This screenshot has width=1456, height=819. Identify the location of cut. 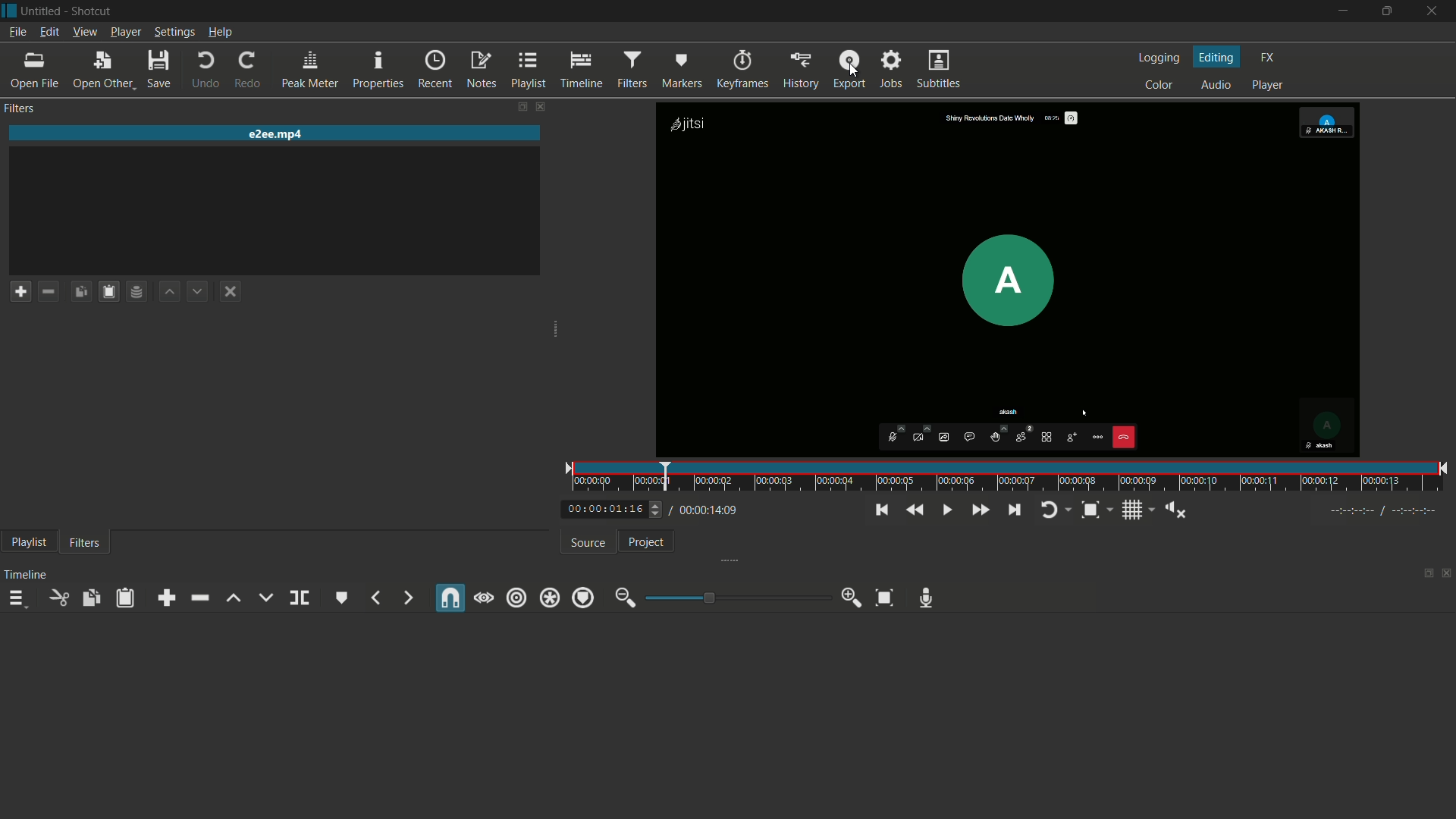
(60, 598).